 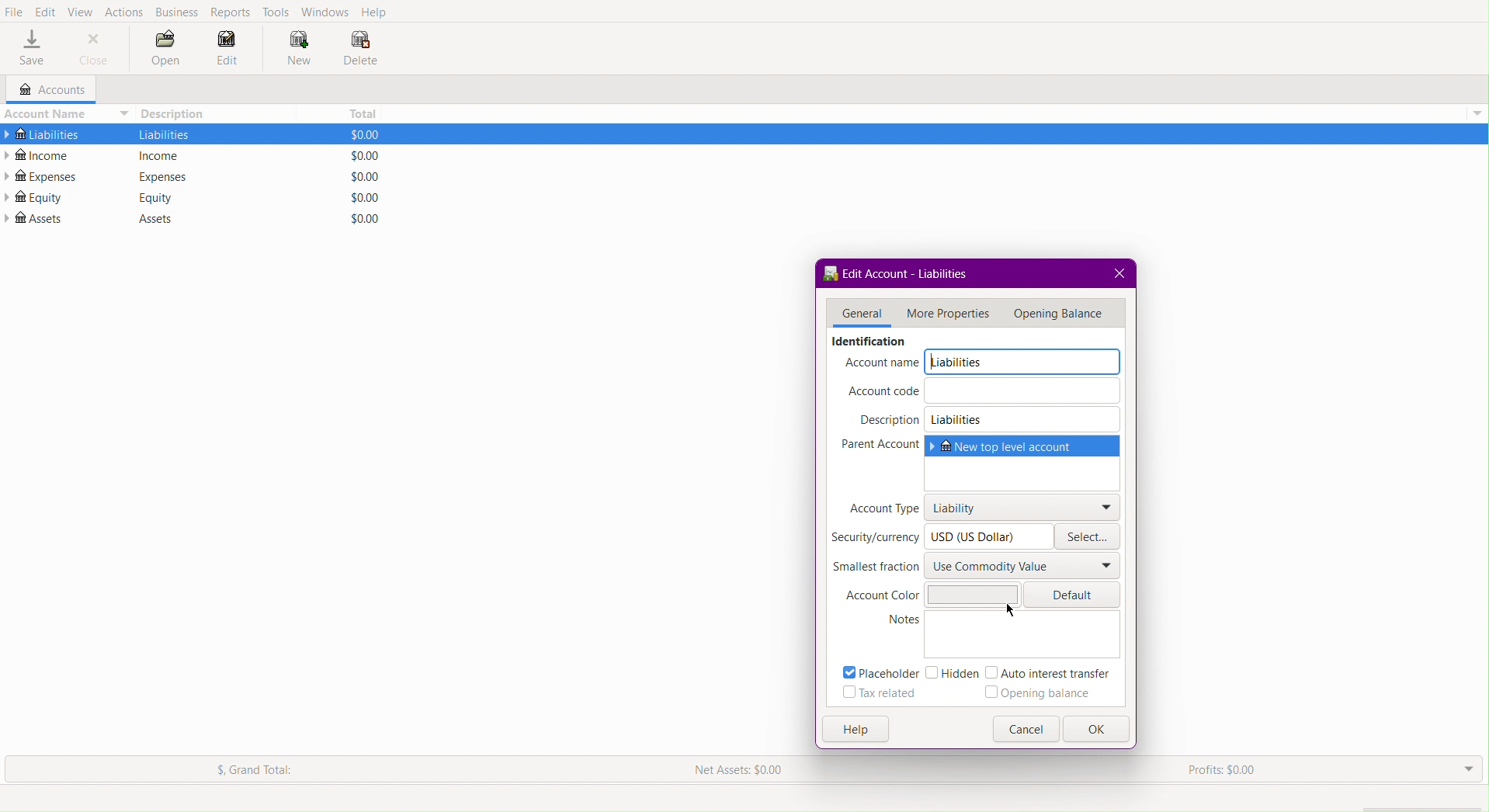 What do you see at coordinates (14, 12) in the screenshot?
I see `File` at bounding box center [14, 12].